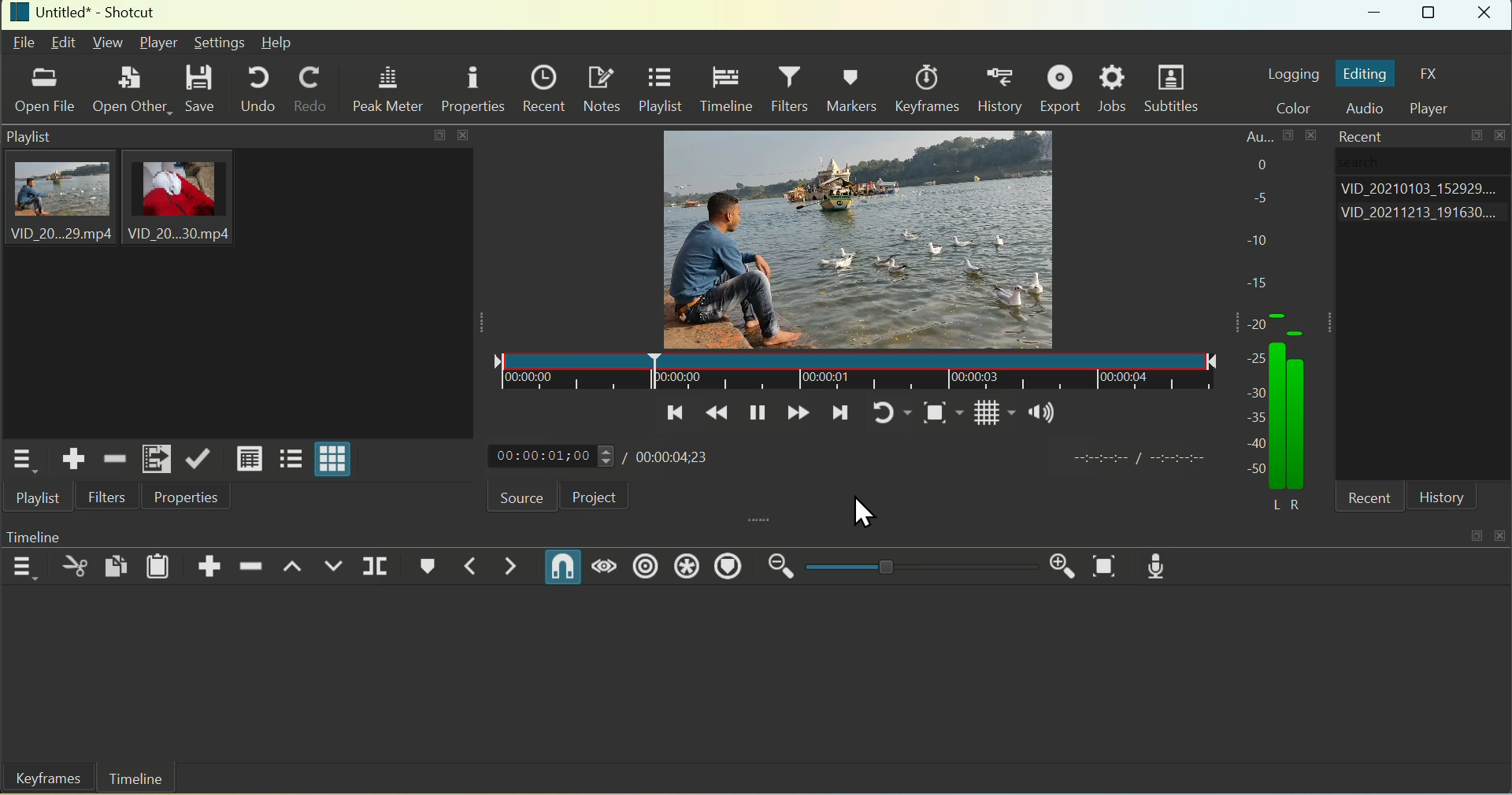  I want to click on Minimize, so click(1377, 16).